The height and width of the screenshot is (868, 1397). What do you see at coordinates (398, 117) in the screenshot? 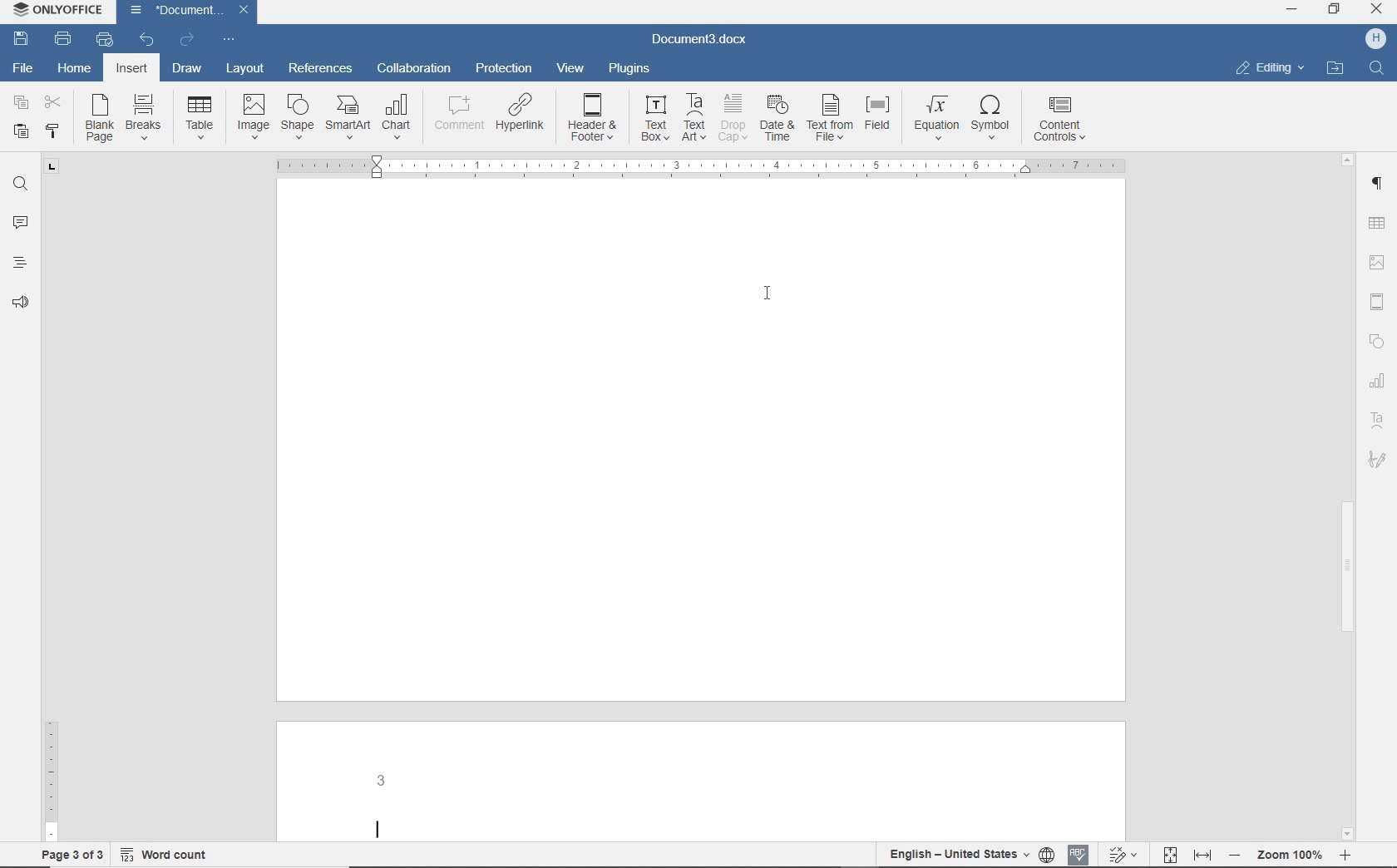
I see `CHART` at bounding box center [398, 117].